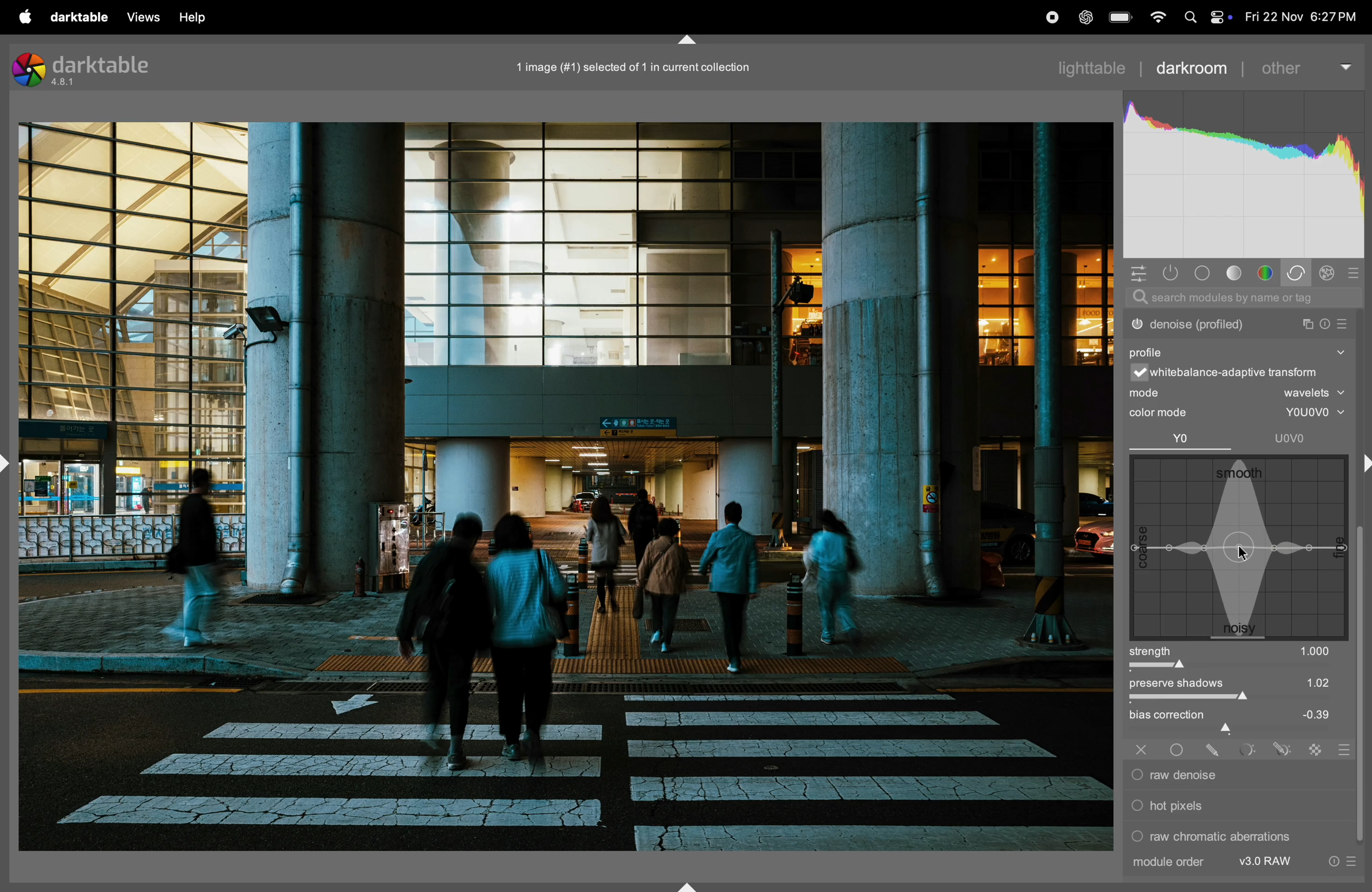 This screenshot has width=1372, height=892. I want to click on profile, so click(1147, 352).